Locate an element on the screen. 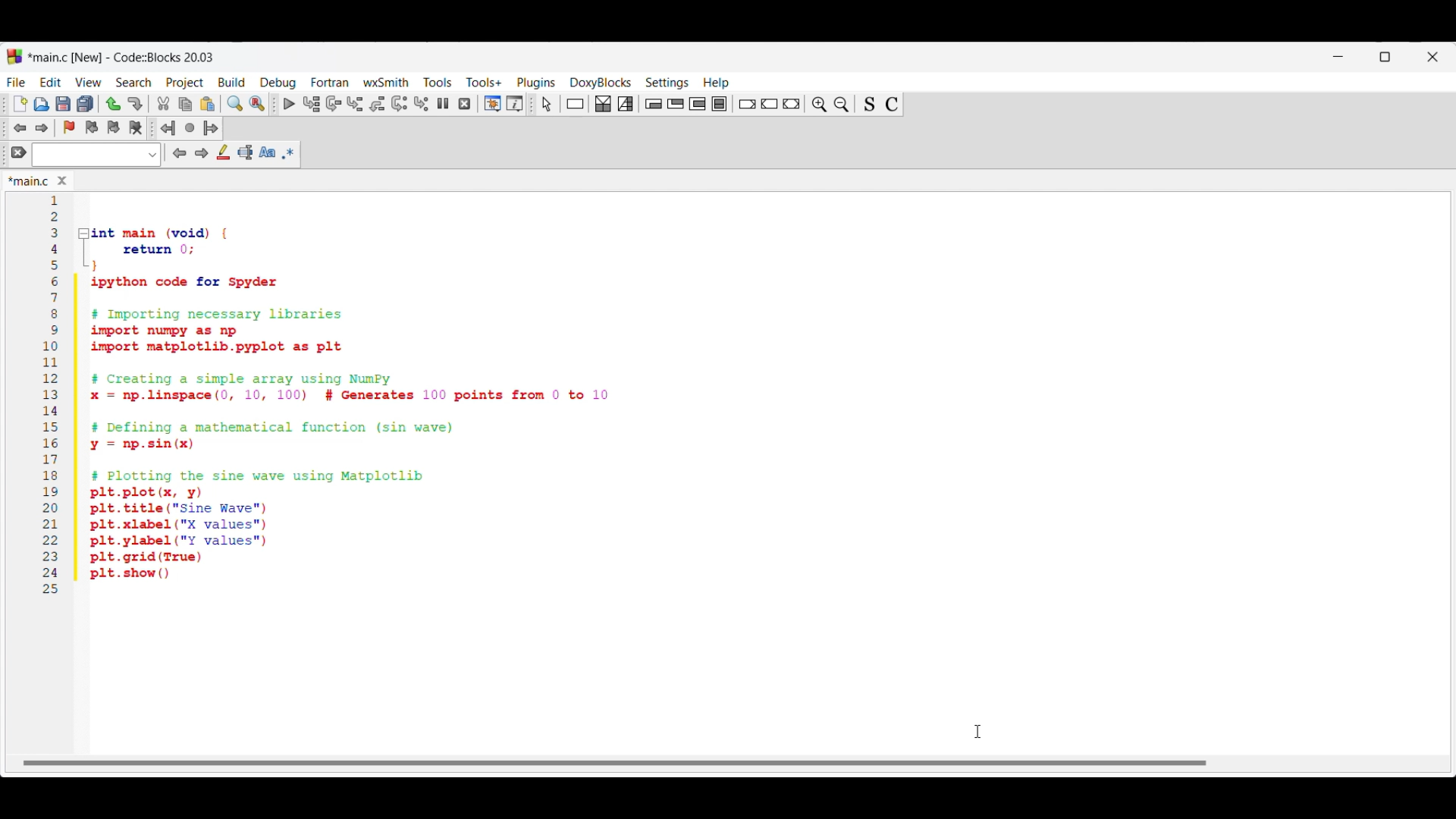 The width and height of the screenshot is (1456, 819). Next bookmark is located at coordinates (113, 127).